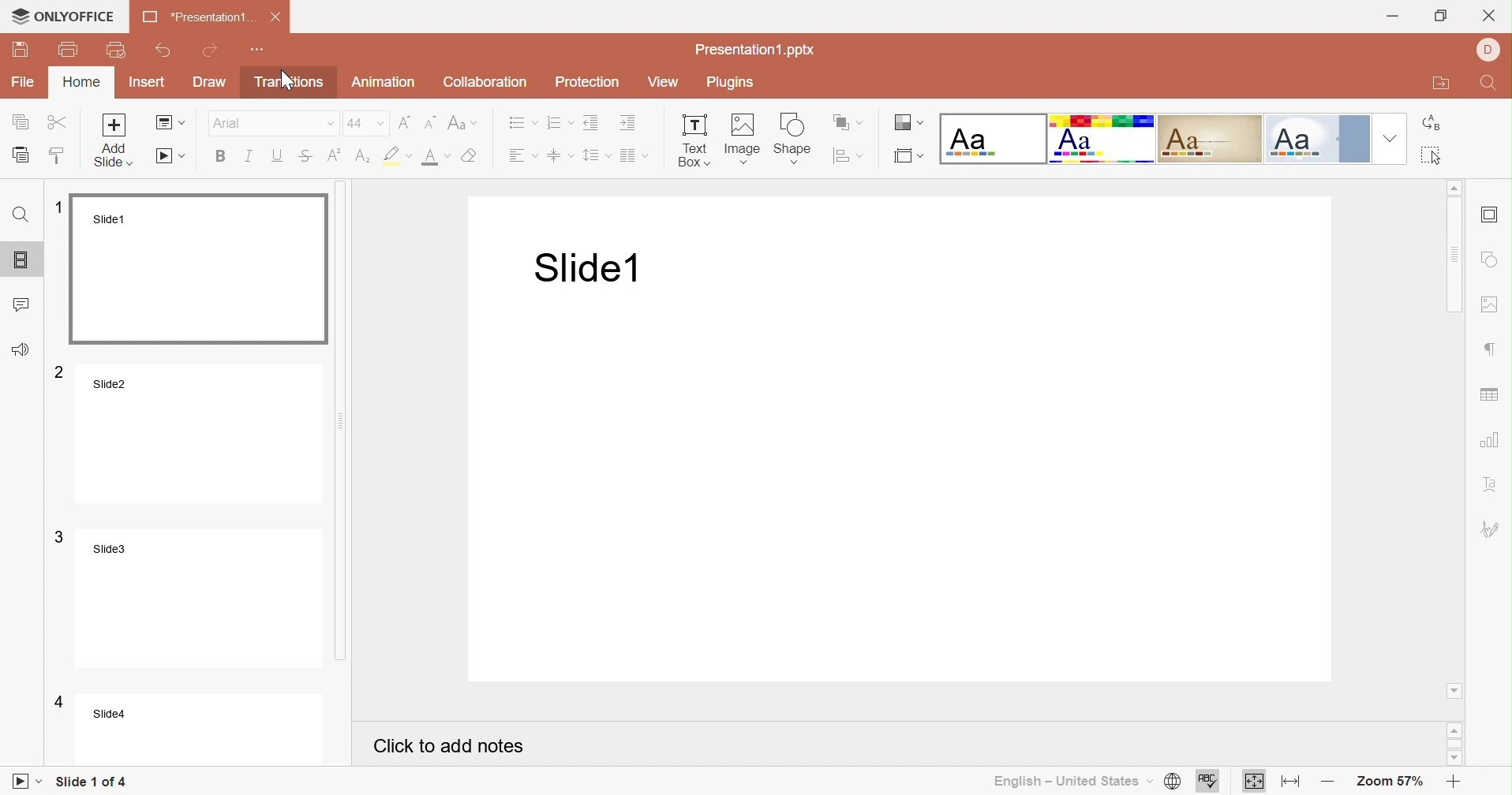 Image resolution: width=1512 pixels, height=795 pixels. What do you see at coordinates (204, 597) in the screenshot?
I see `Slide3` at bounding box center [204, 597].